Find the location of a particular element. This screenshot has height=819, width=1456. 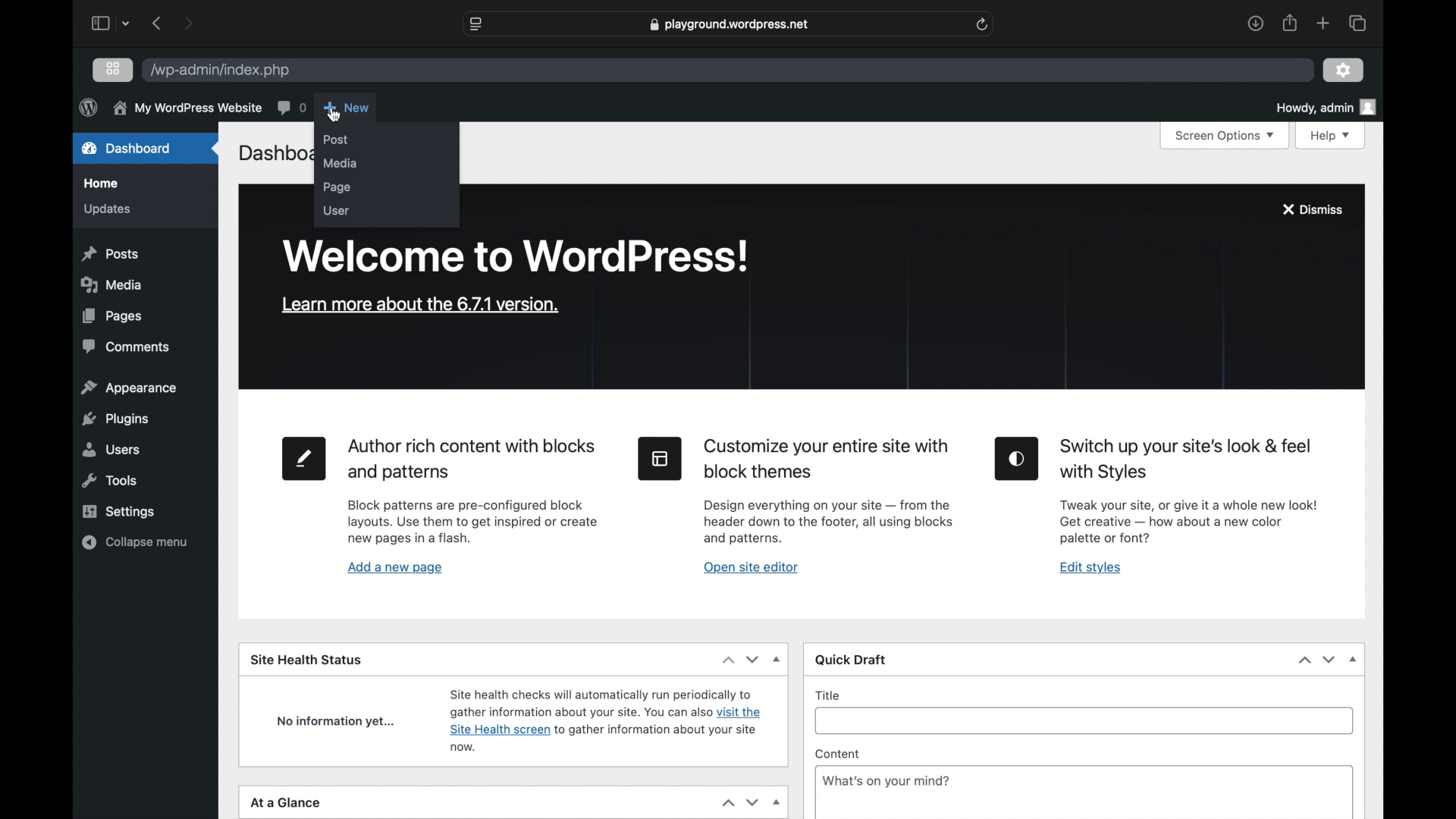

cursor is located at coordinates (335, 115).